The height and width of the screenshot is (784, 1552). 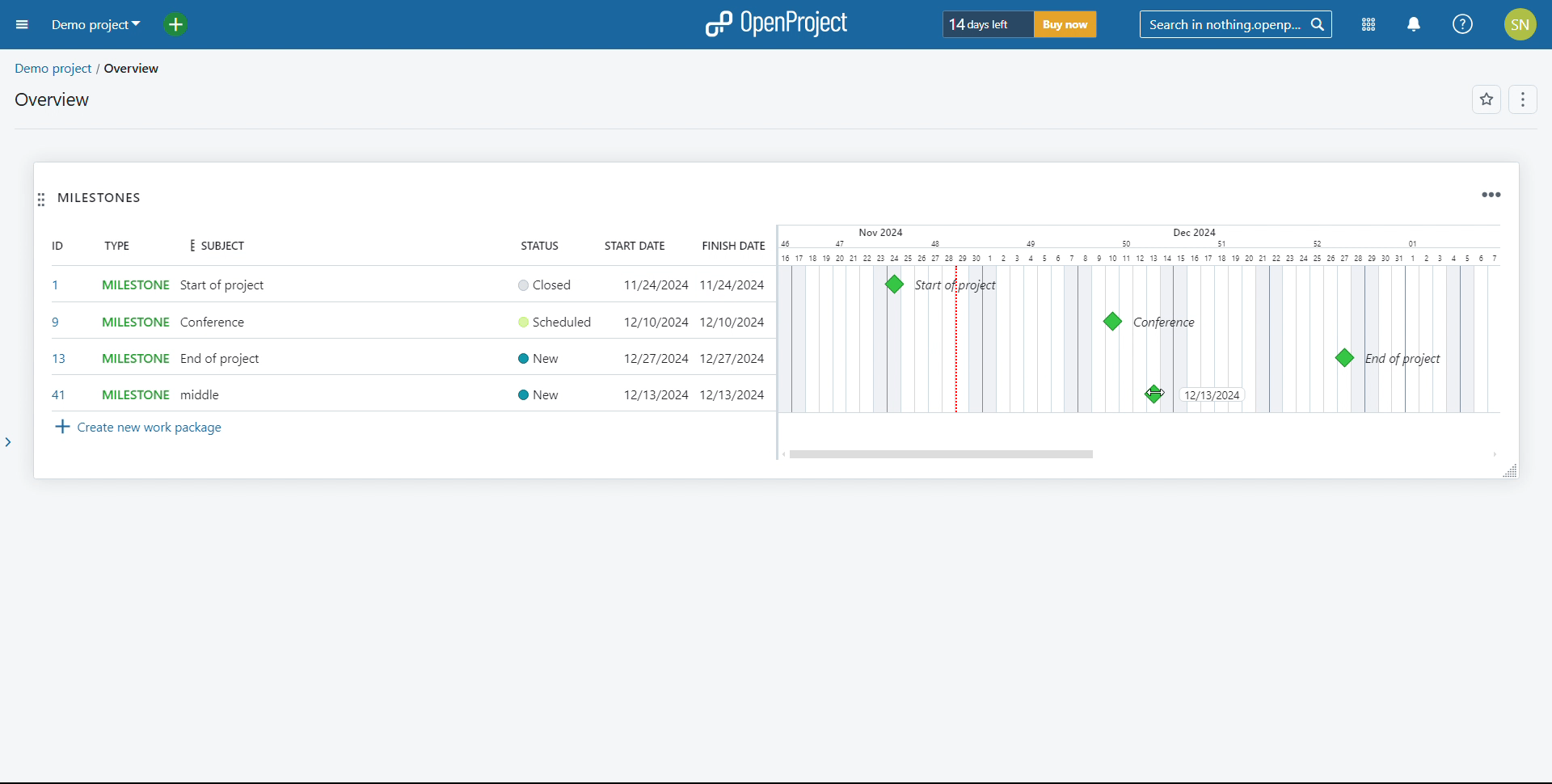 What do you see at coordinates (1525, 100) in the screenshot?
I see `options` at bounding box center [1525, 100].